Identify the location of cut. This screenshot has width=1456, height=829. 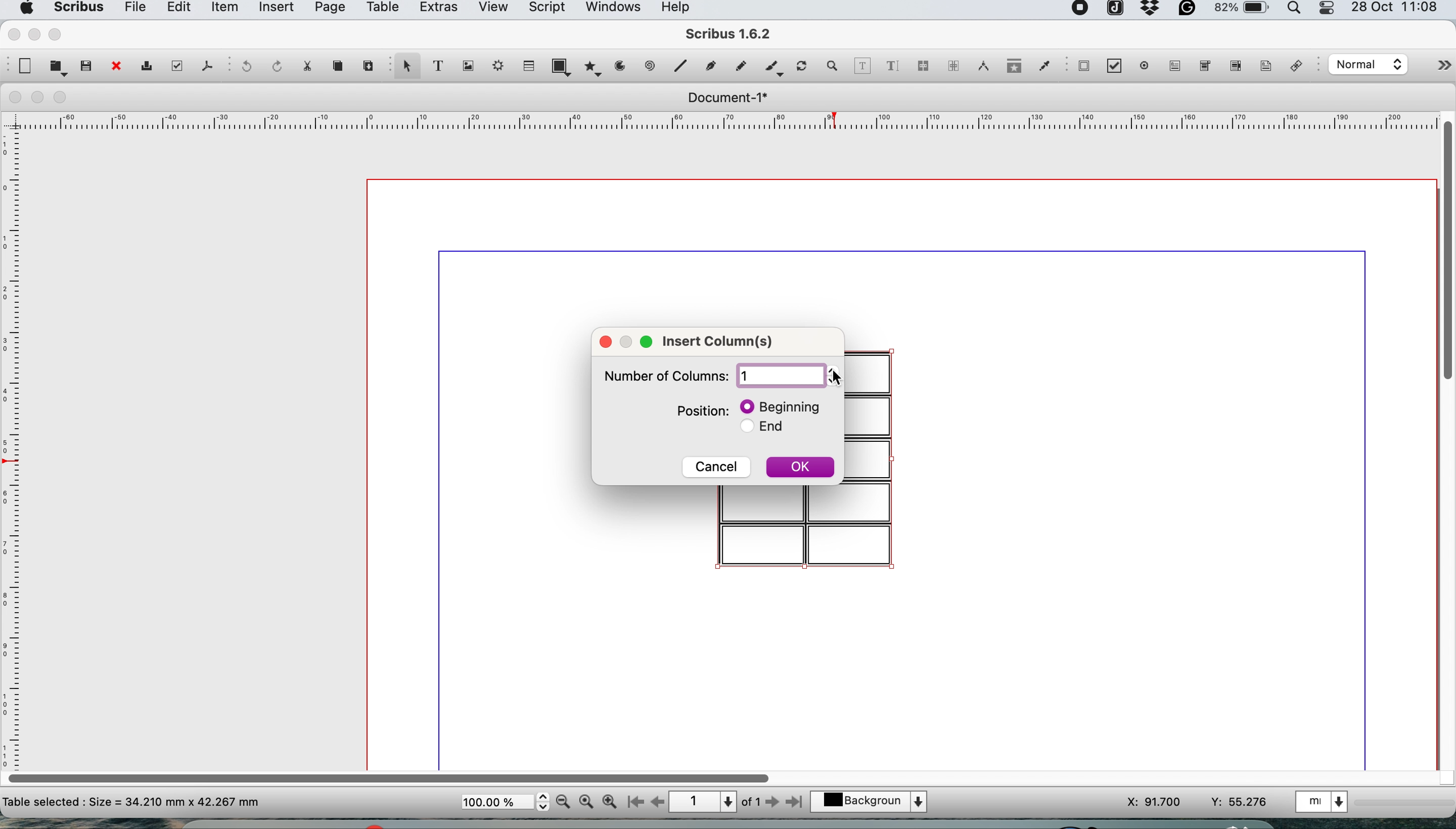
(306, 65).